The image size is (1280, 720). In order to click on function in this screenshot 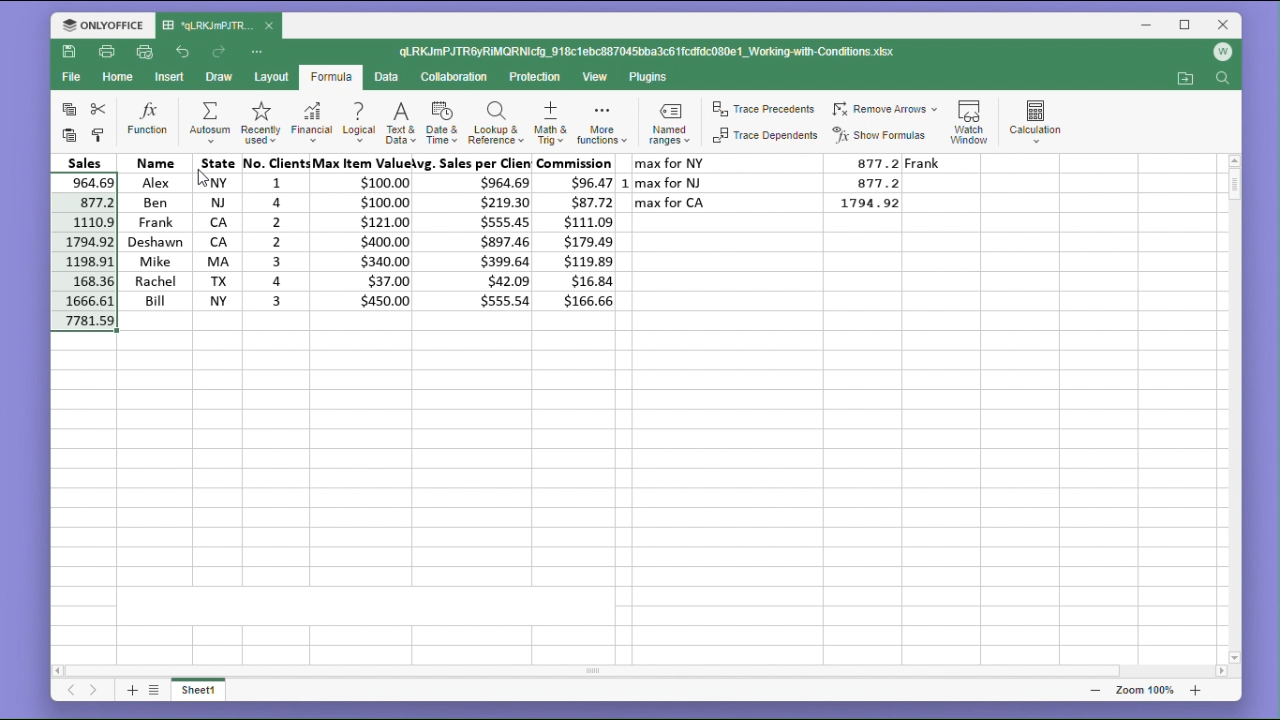, I will do `click(148, 120)`.